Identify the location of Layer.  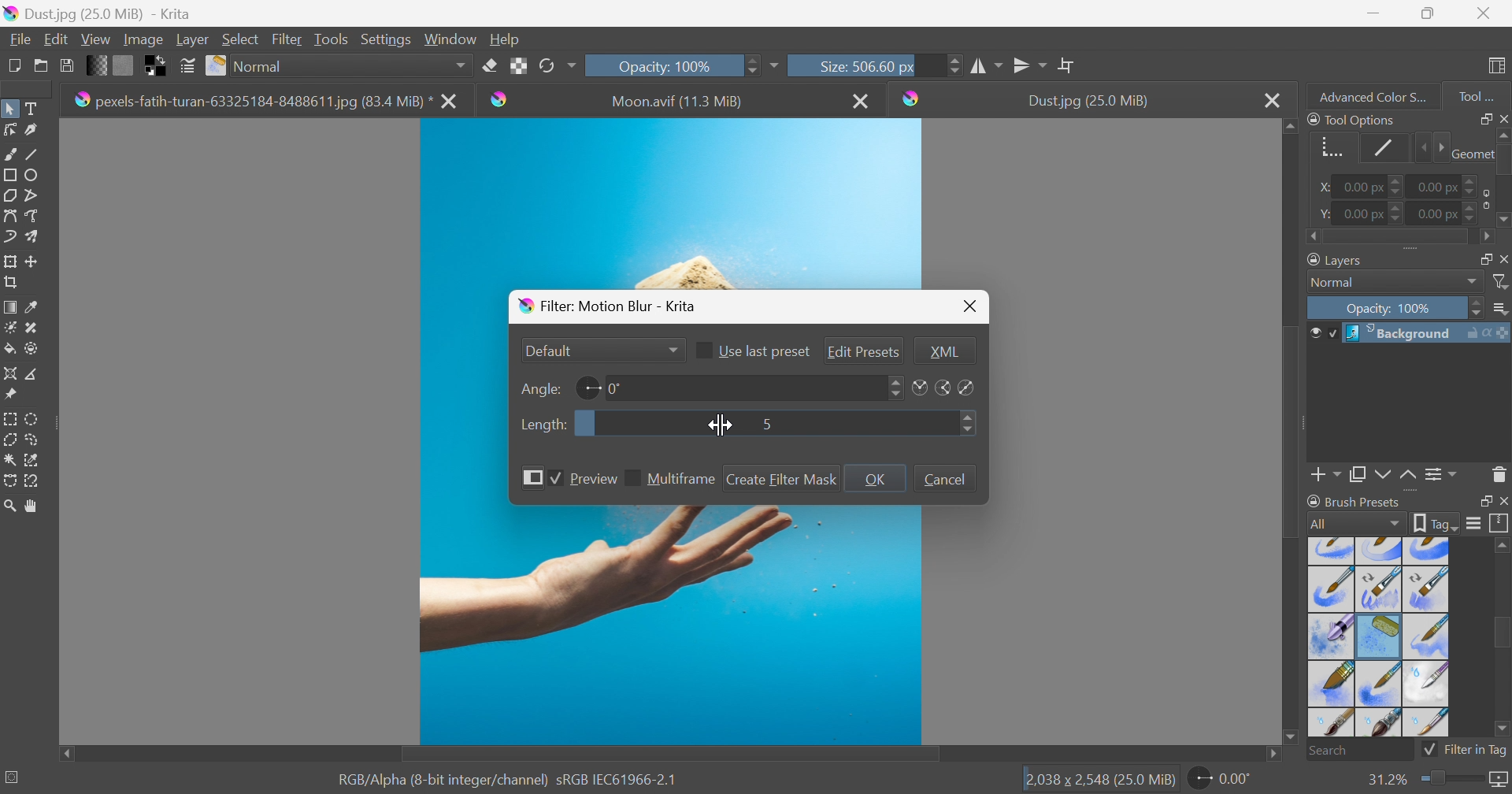
(192, 38).